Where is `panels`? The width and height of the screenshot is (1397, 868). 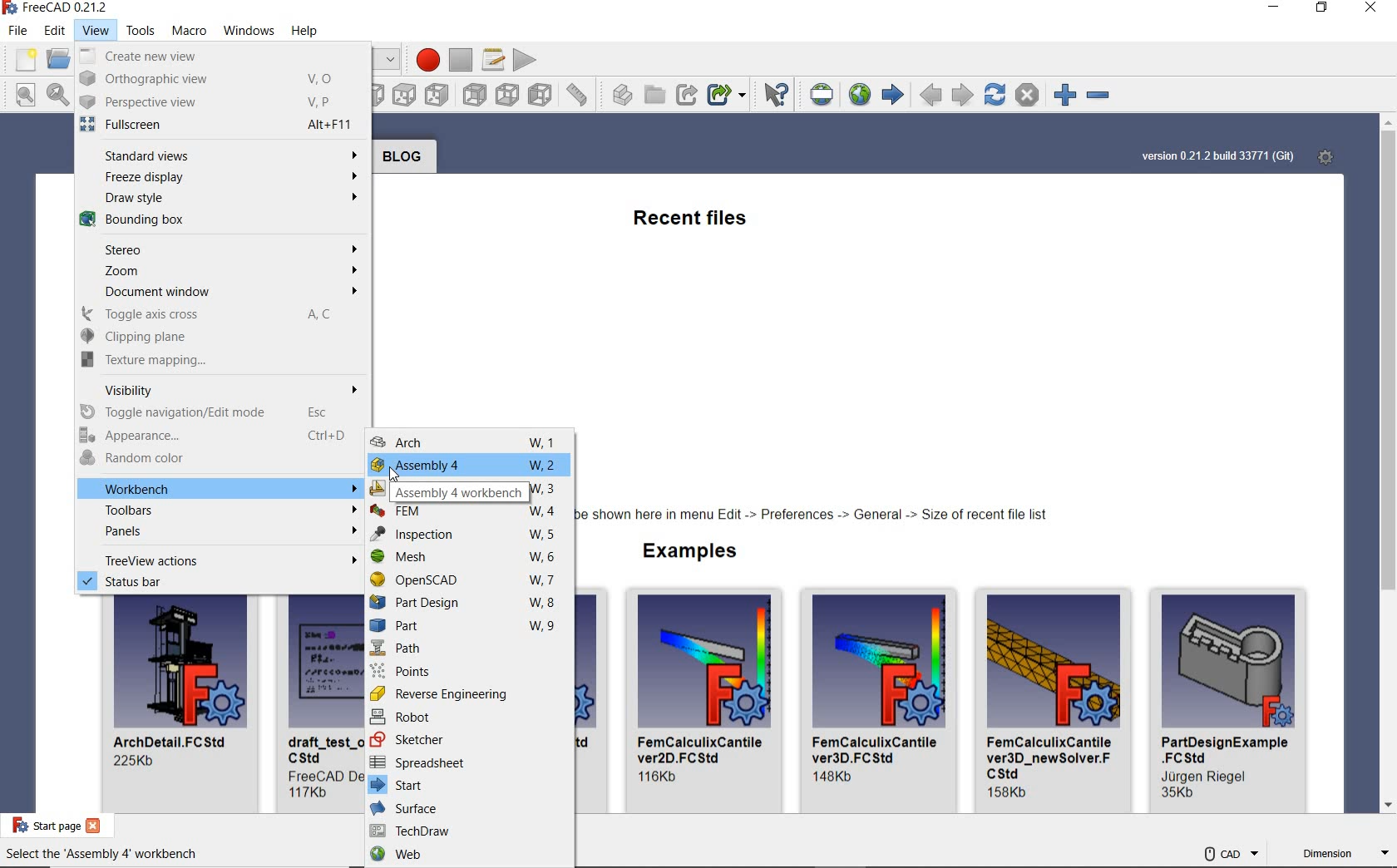 panels is located at coordinates (219, 534).